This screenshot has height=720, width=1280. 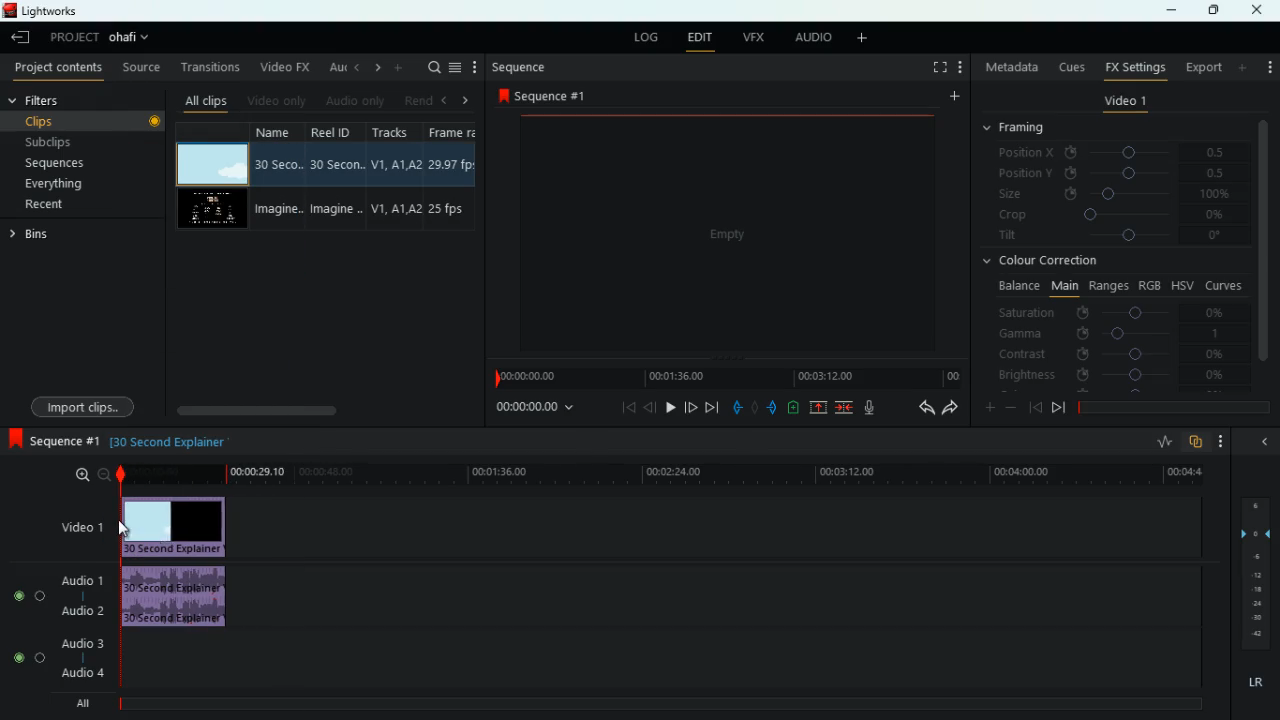 I want to click on video 1, so click(x=1123, y=102).